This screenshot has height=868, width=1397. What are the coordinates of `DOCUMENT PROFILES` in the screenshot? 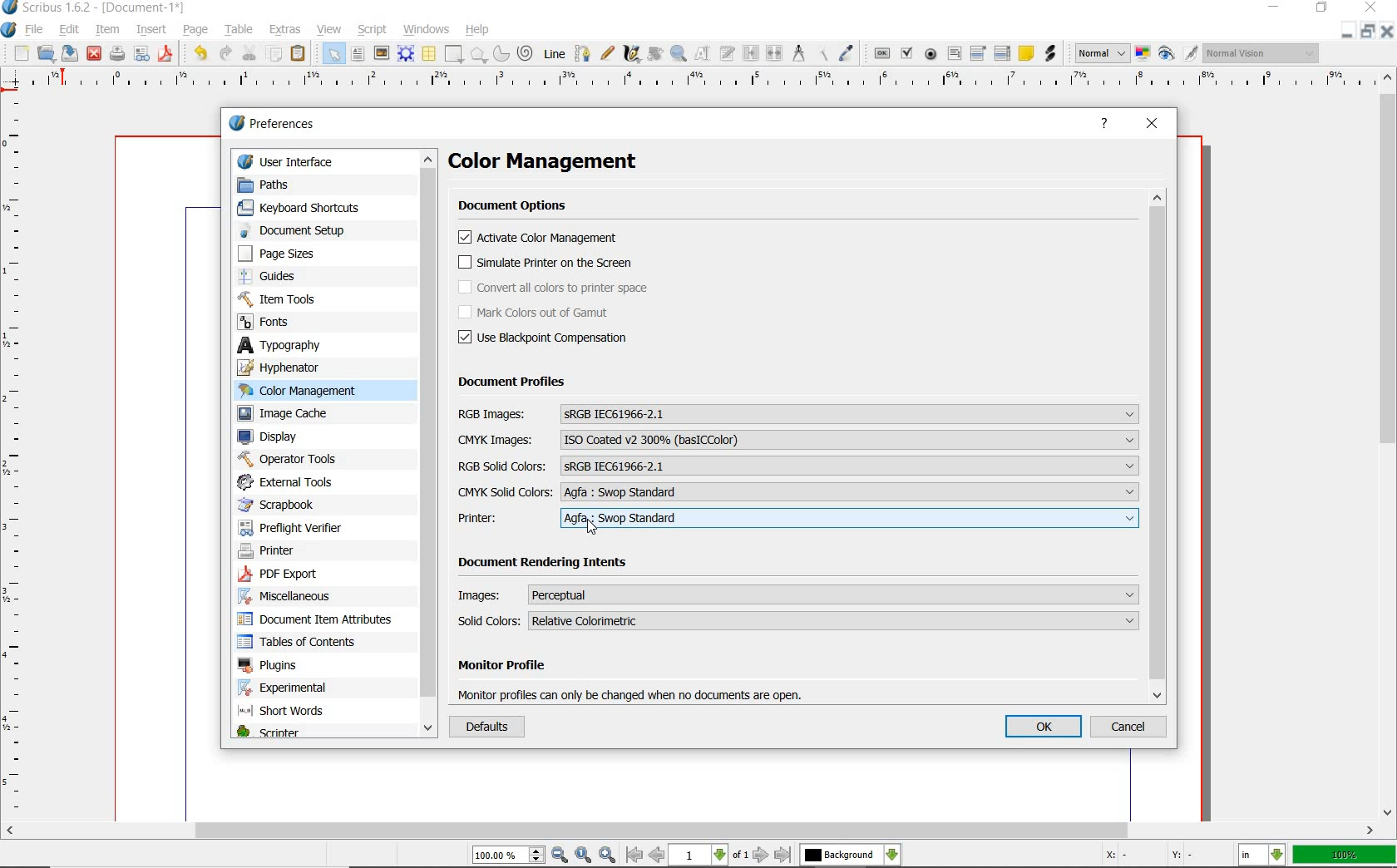 It's located at (512, 382).